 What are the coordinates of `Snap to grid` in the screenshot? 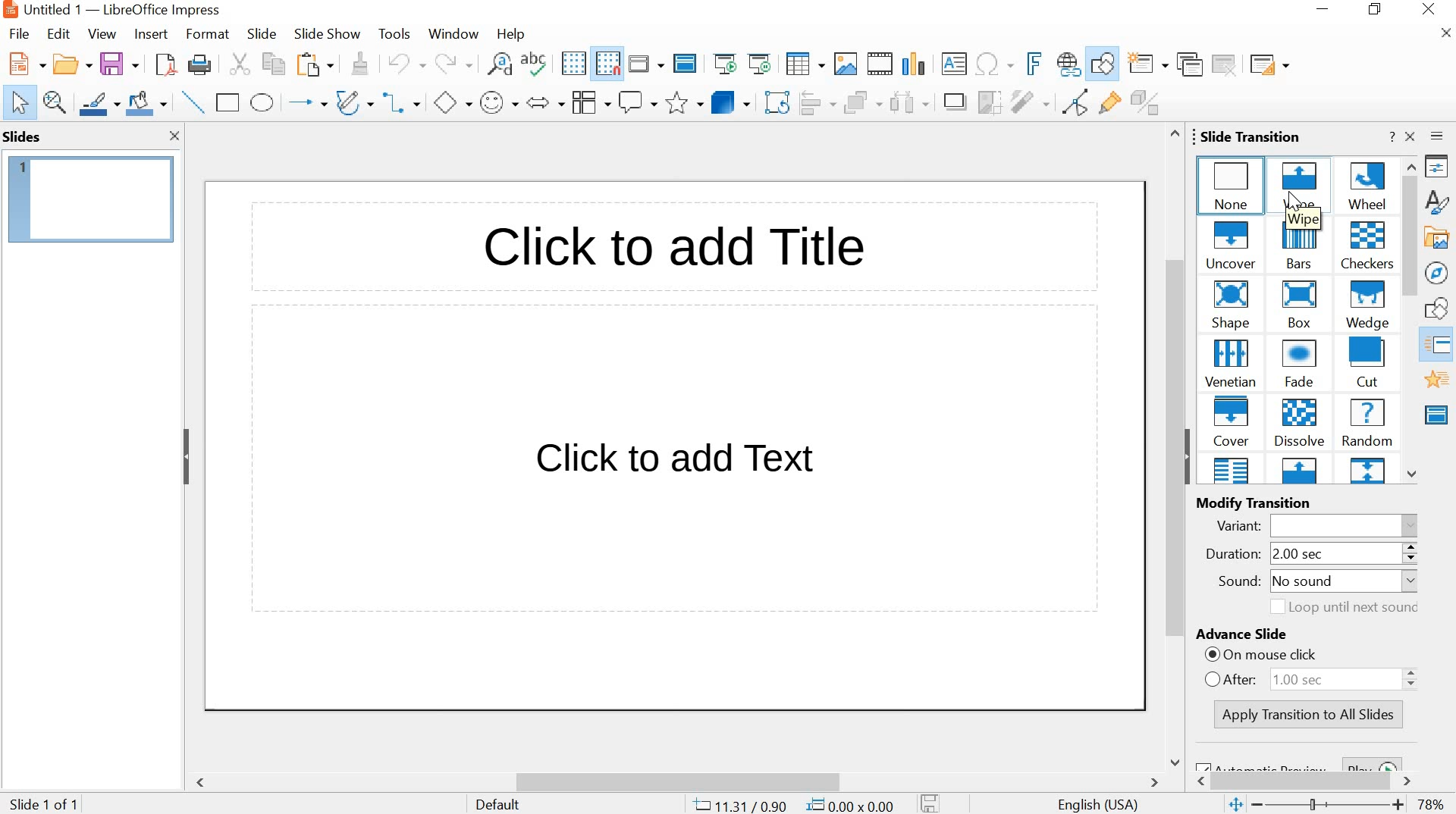 It's located at (606, 64).